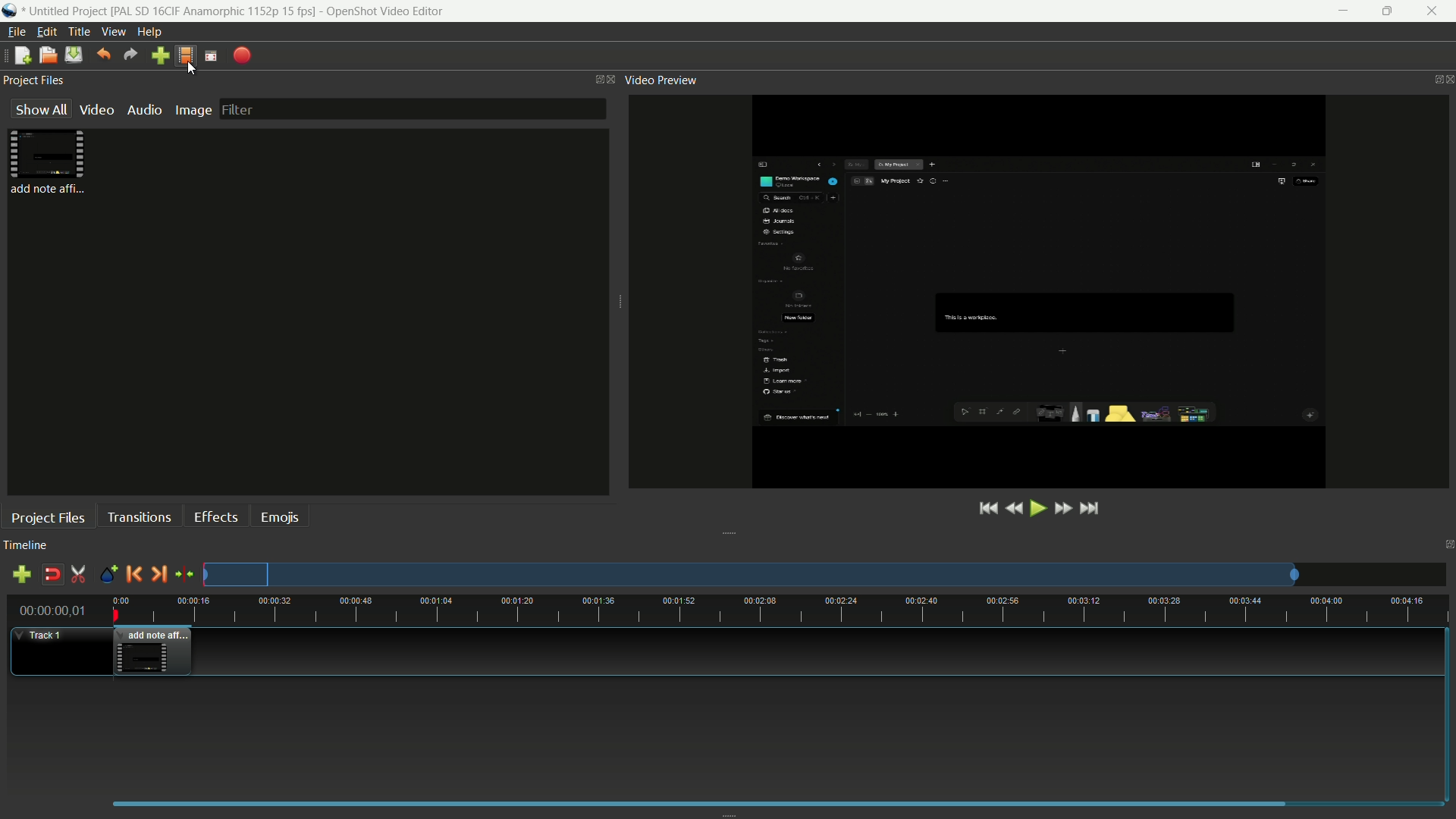  I want to click on edit menu, so click(43, 31).